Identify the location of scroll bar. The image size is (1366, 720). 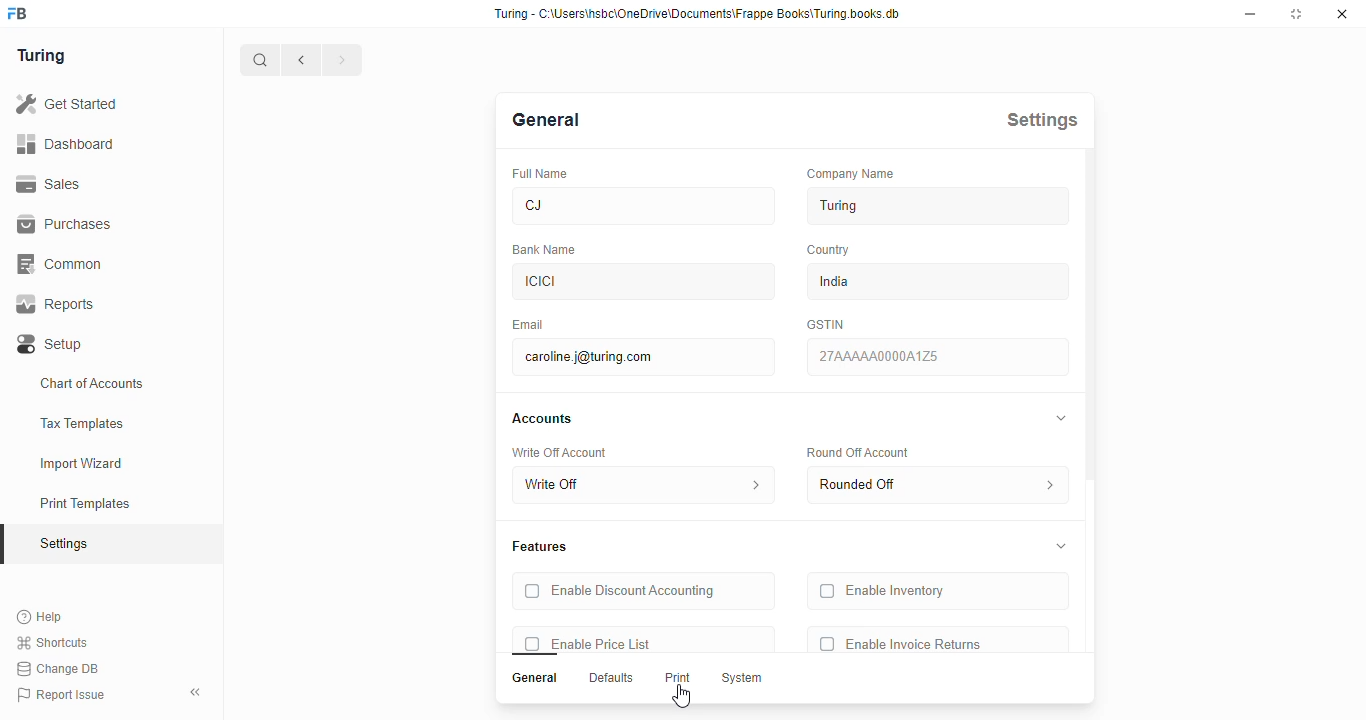
(1091, 426).